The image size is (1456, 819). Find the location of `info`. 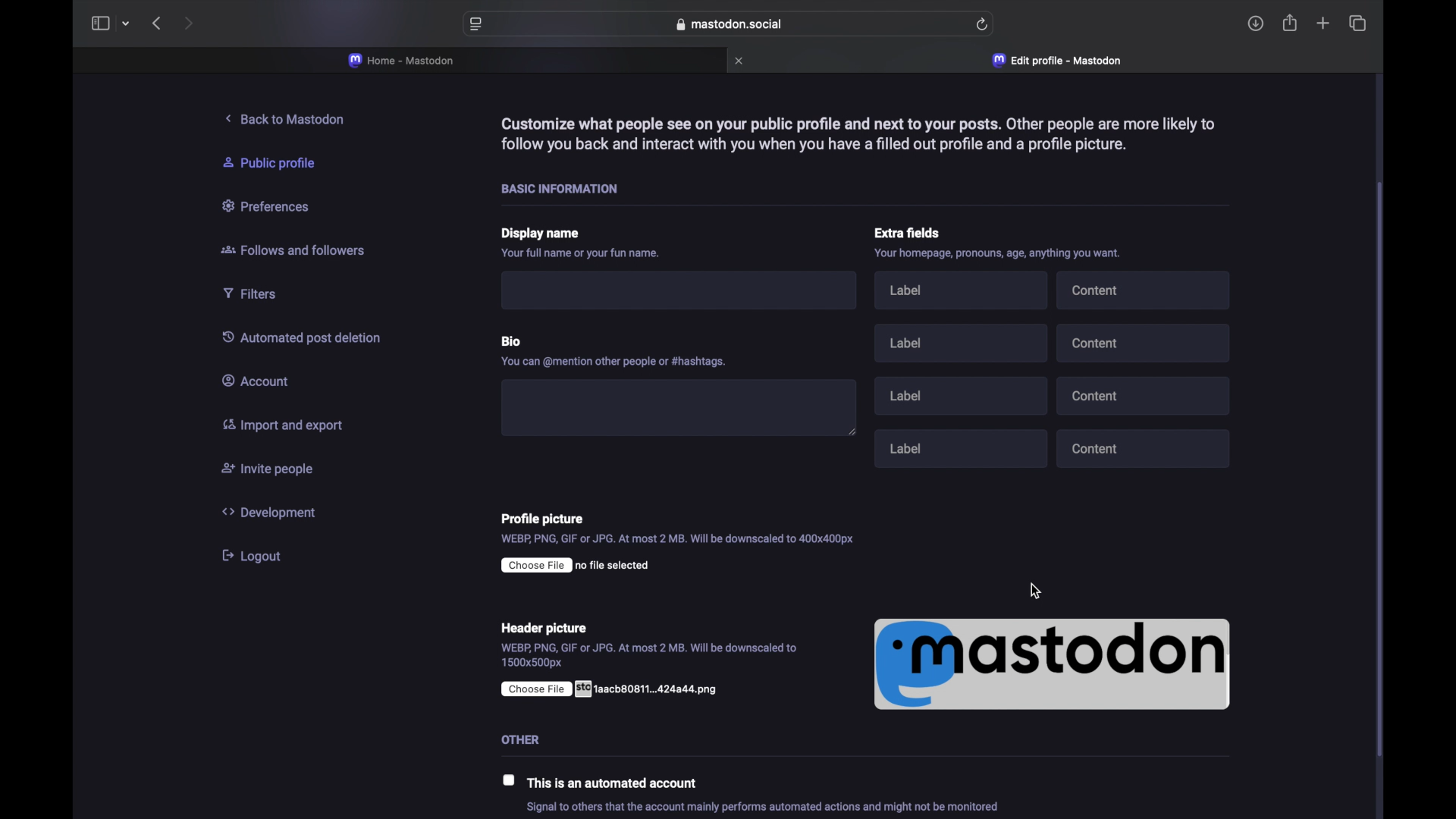

info is located at coordinates (768, 808).